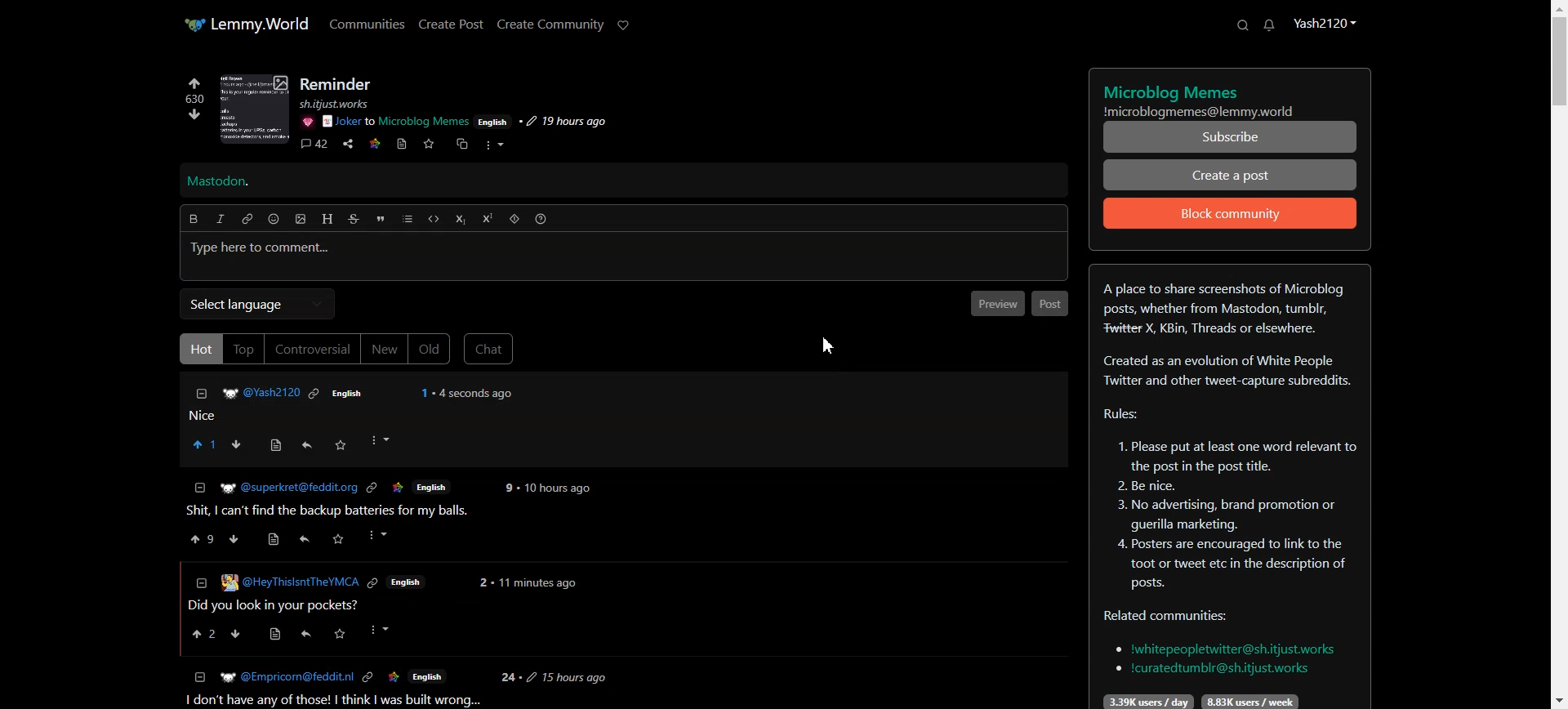 The height and width of the screenshot is (709, 1568). I want to click on Communities, so click(367, 23).